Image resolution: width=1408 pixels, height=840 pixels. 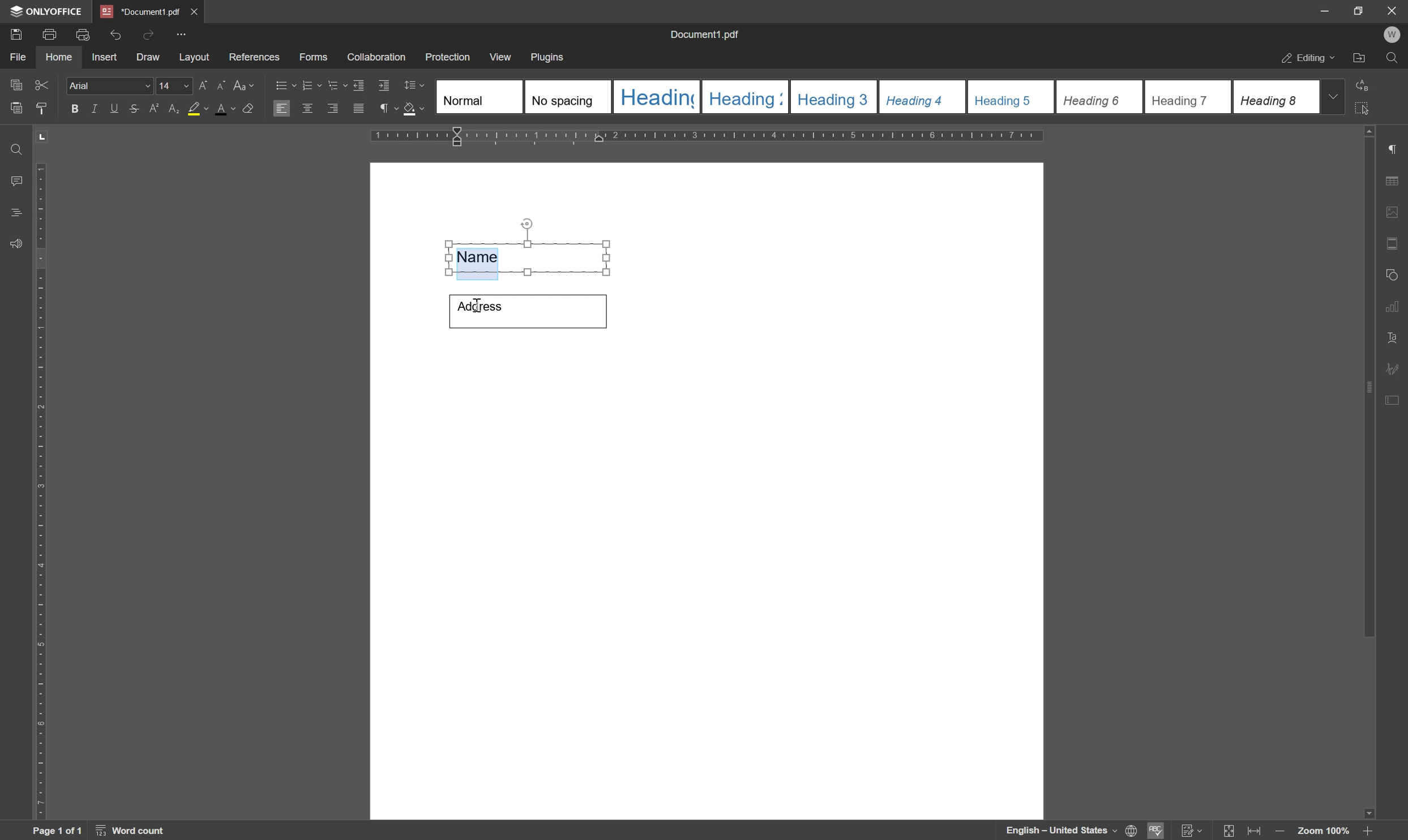 What do you see at coordinates (1257, 832) in the screenshot?
I see `fit to width` at bounding box center [1257, 832].